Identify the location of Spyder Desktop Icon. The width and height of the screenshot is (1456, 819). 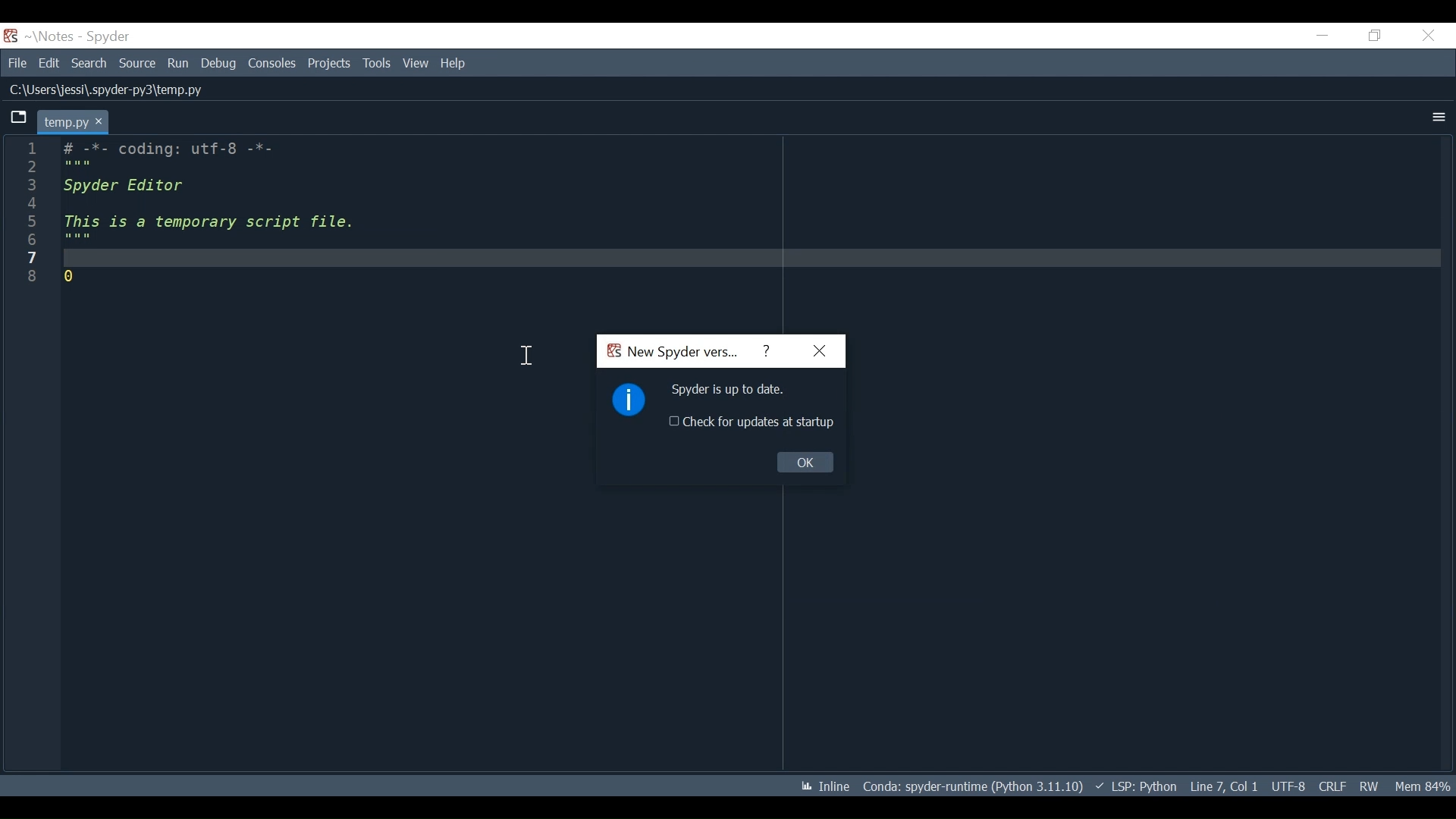
(614, 350).